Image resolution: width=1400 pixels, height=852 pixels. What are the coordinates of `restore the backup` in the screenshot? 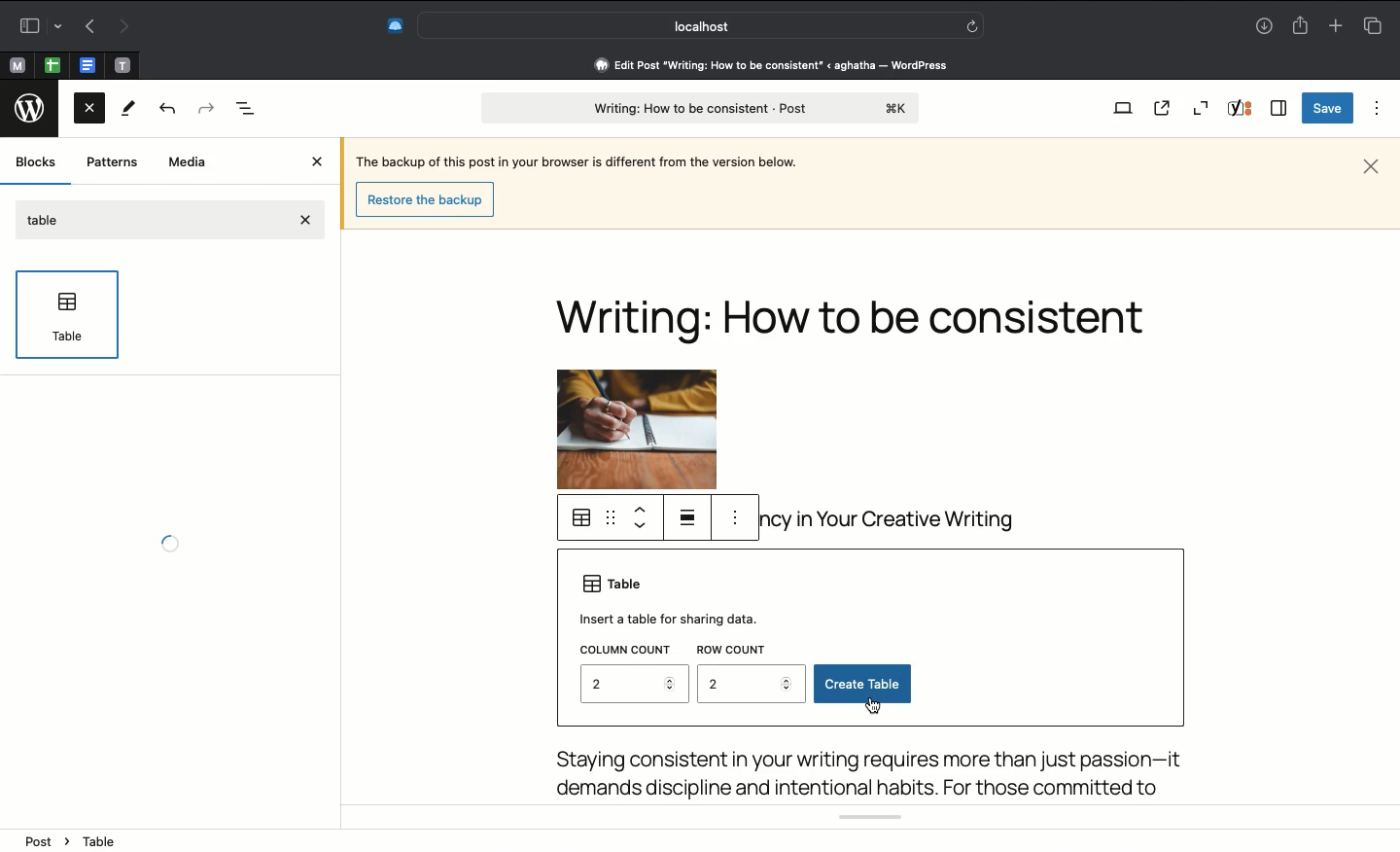 It's located at (428, 199).